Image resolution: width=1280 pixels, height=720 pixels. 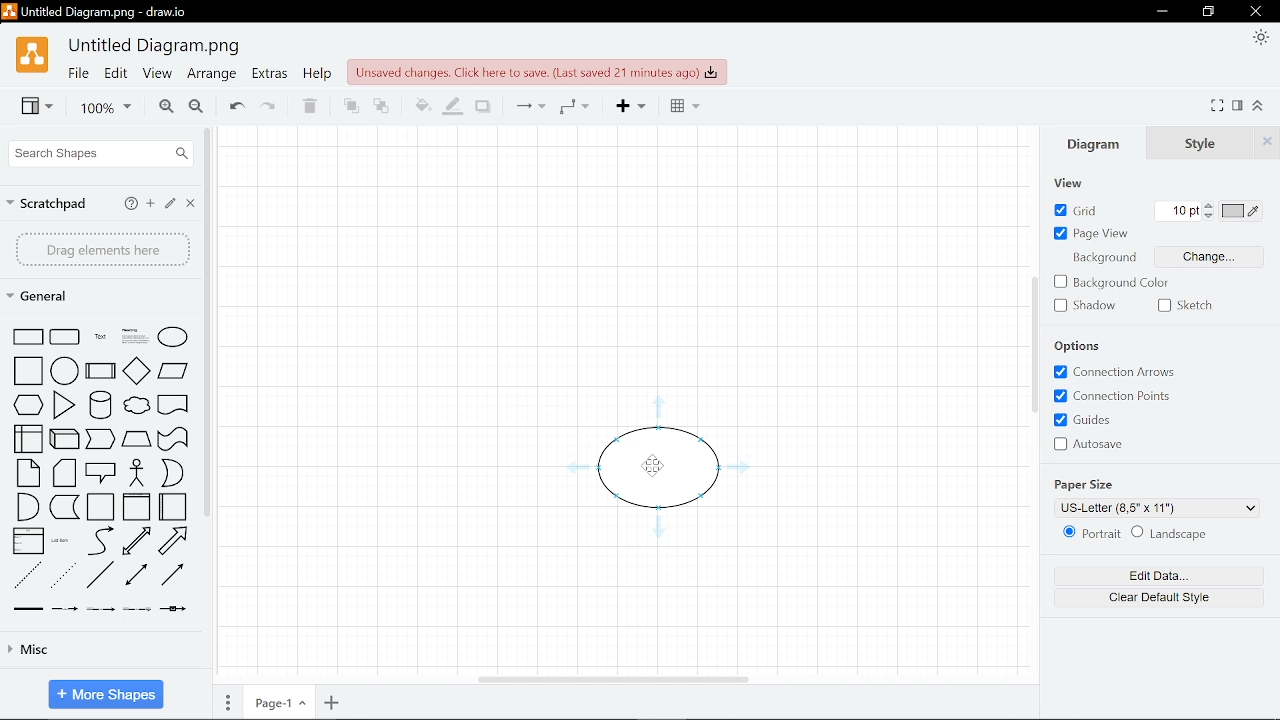 What do you see at coordinates (1178, 211) in the screenshot?
I see `Current grid ` at bounding box center [1178, 211].